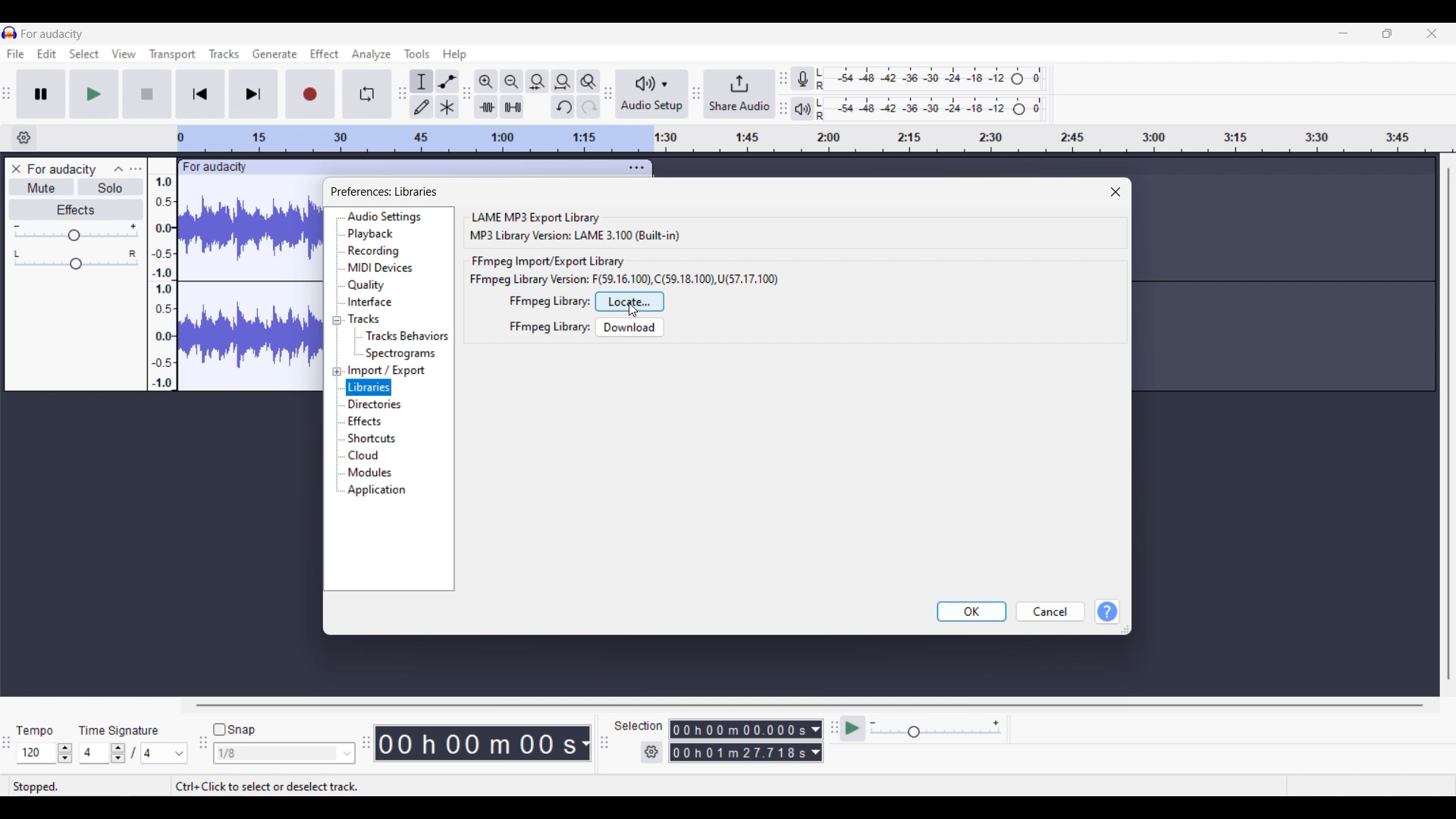 The height and width of the screenshot is (819, 1456). I want to click on Close, so click(1116, 192).